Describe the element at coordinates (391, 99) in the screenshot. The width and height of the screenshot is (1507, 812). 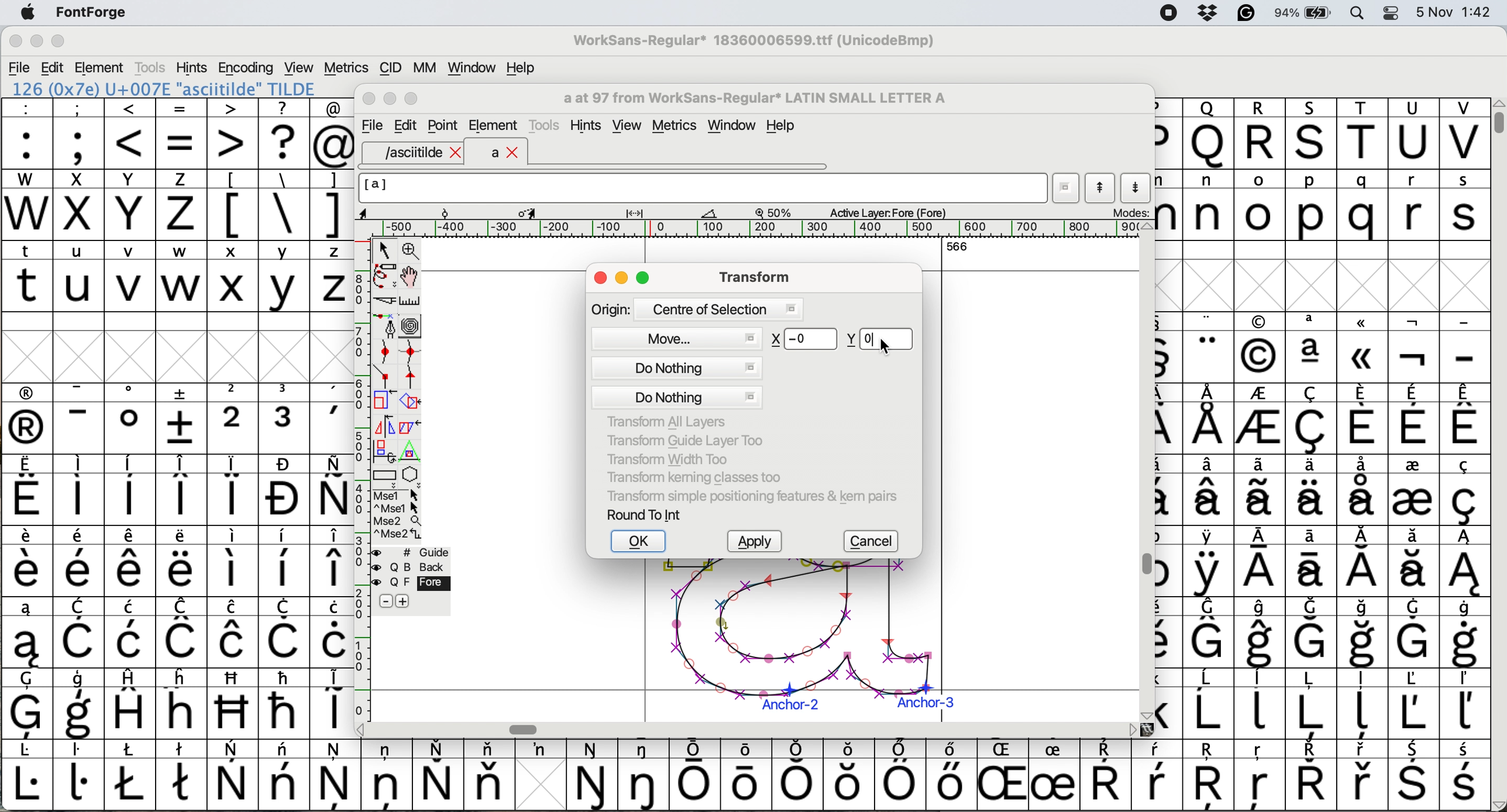
I see `Minimise` at that location.